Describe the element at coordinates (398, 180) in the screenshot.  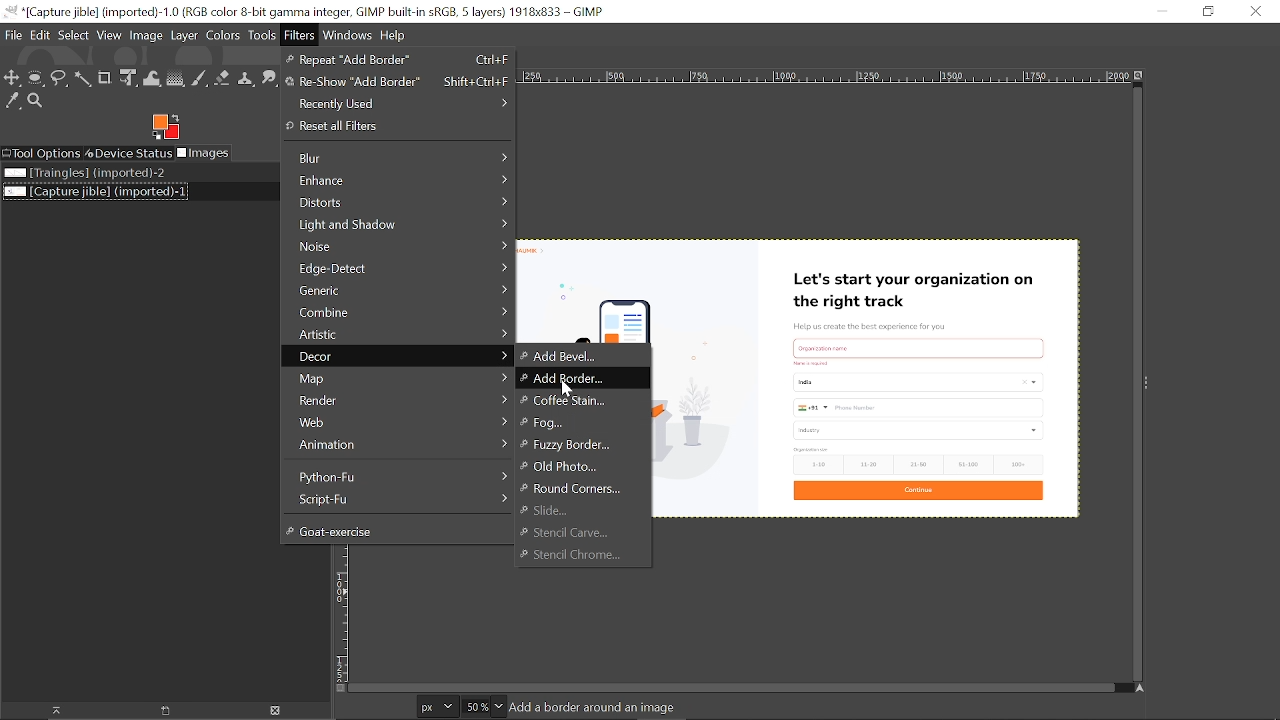
I see `Enhance` at that location.